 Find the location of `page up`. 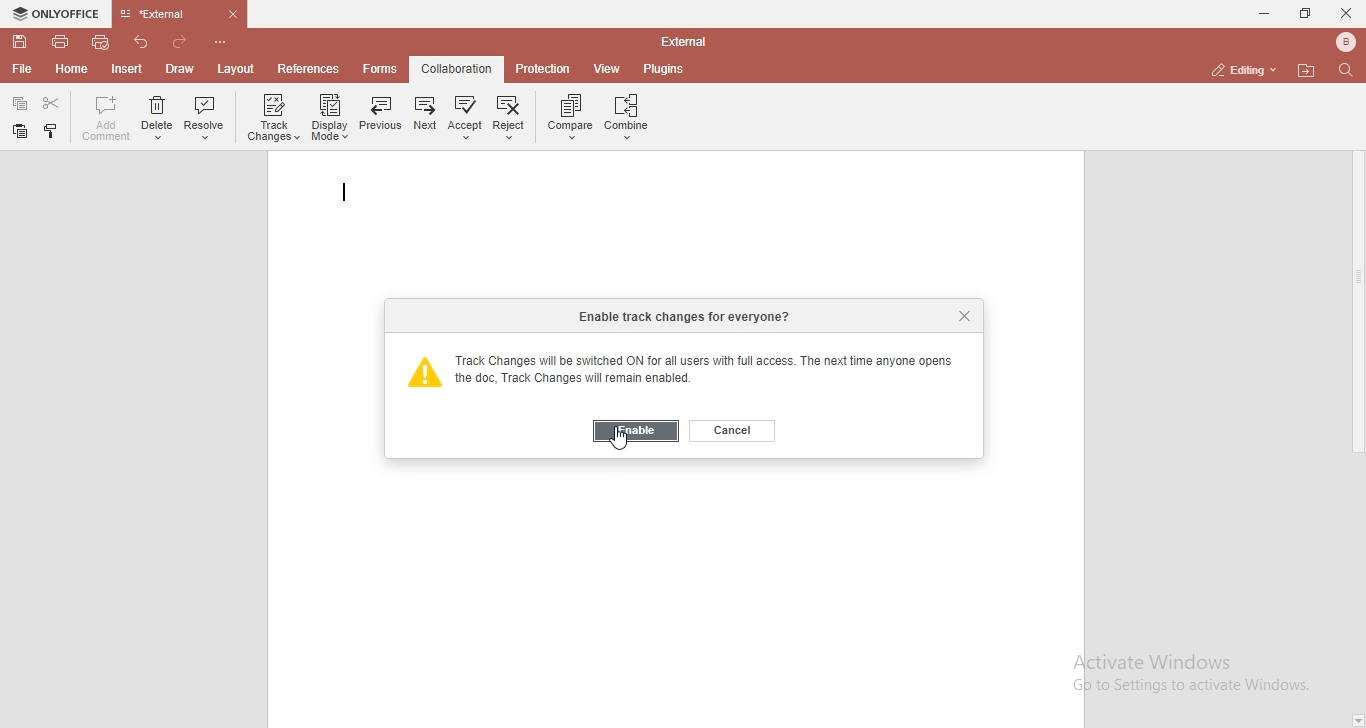

page up is located at coordinates (1357, 92).